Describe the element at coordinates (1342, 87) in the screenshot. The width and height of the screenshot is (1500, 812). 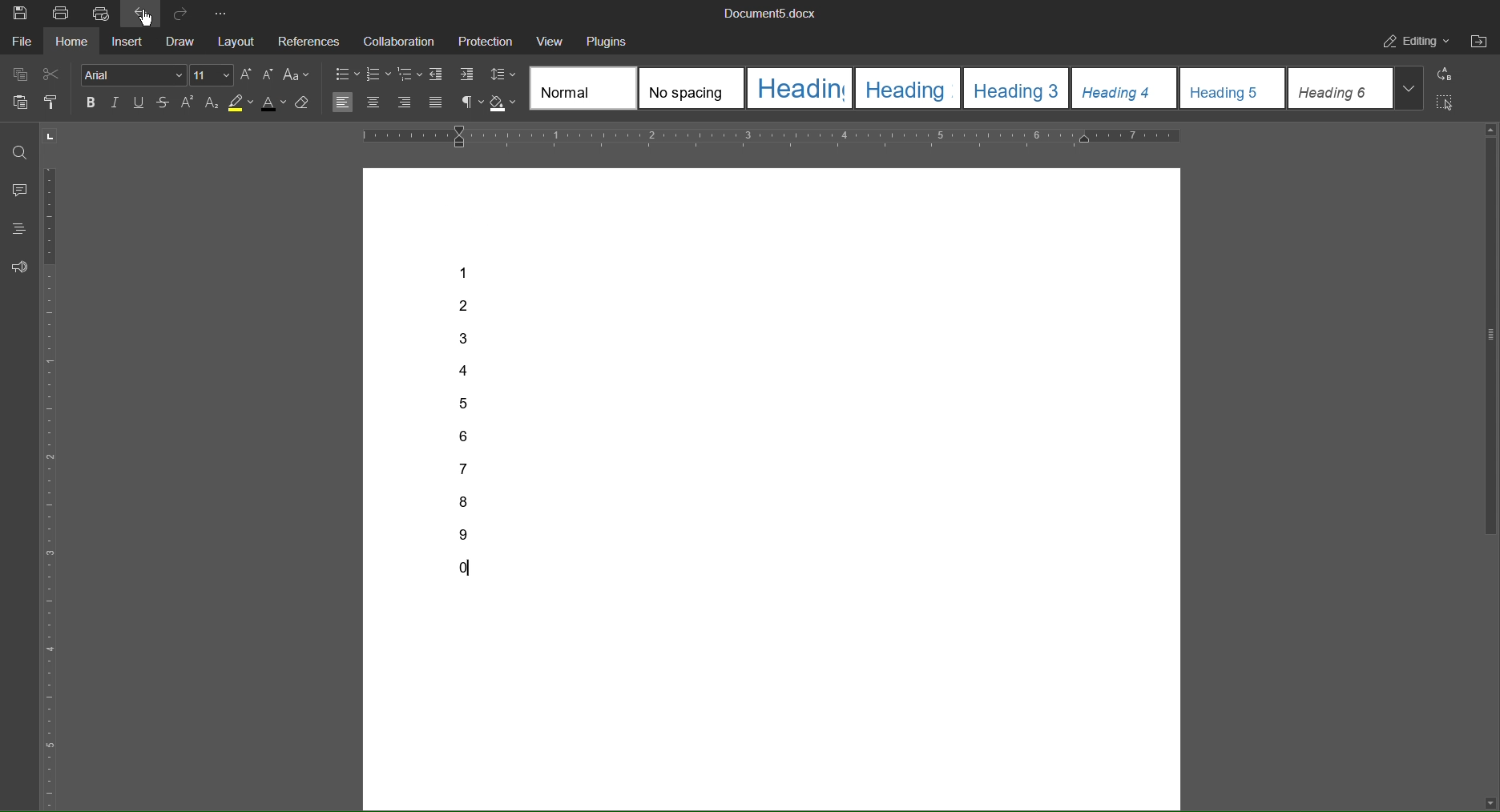
I see `template` at that location.